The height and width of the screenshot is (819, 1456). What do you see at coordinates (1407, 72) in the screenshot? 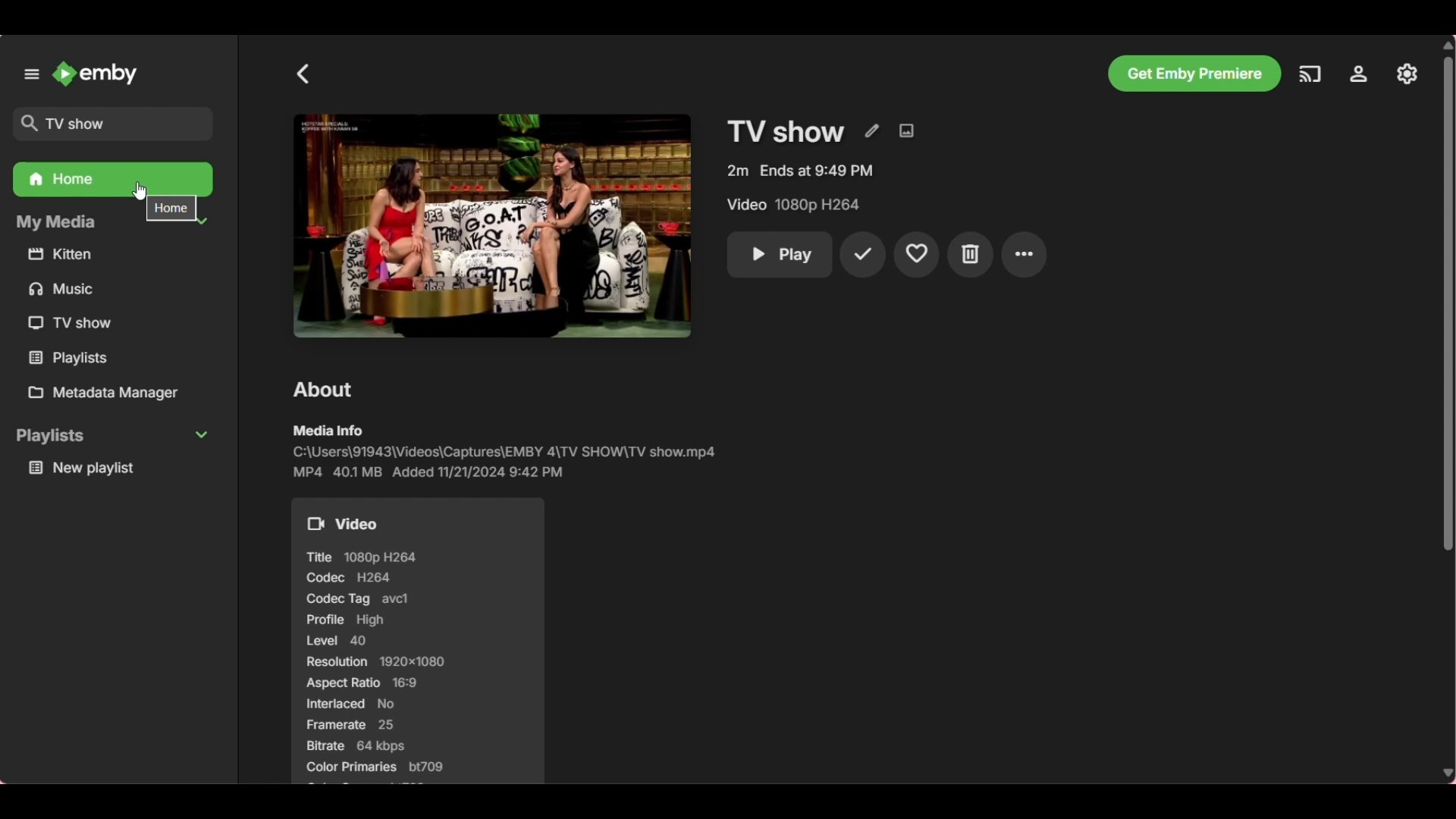
I see `Settings` at bounding box center [1407, 72].